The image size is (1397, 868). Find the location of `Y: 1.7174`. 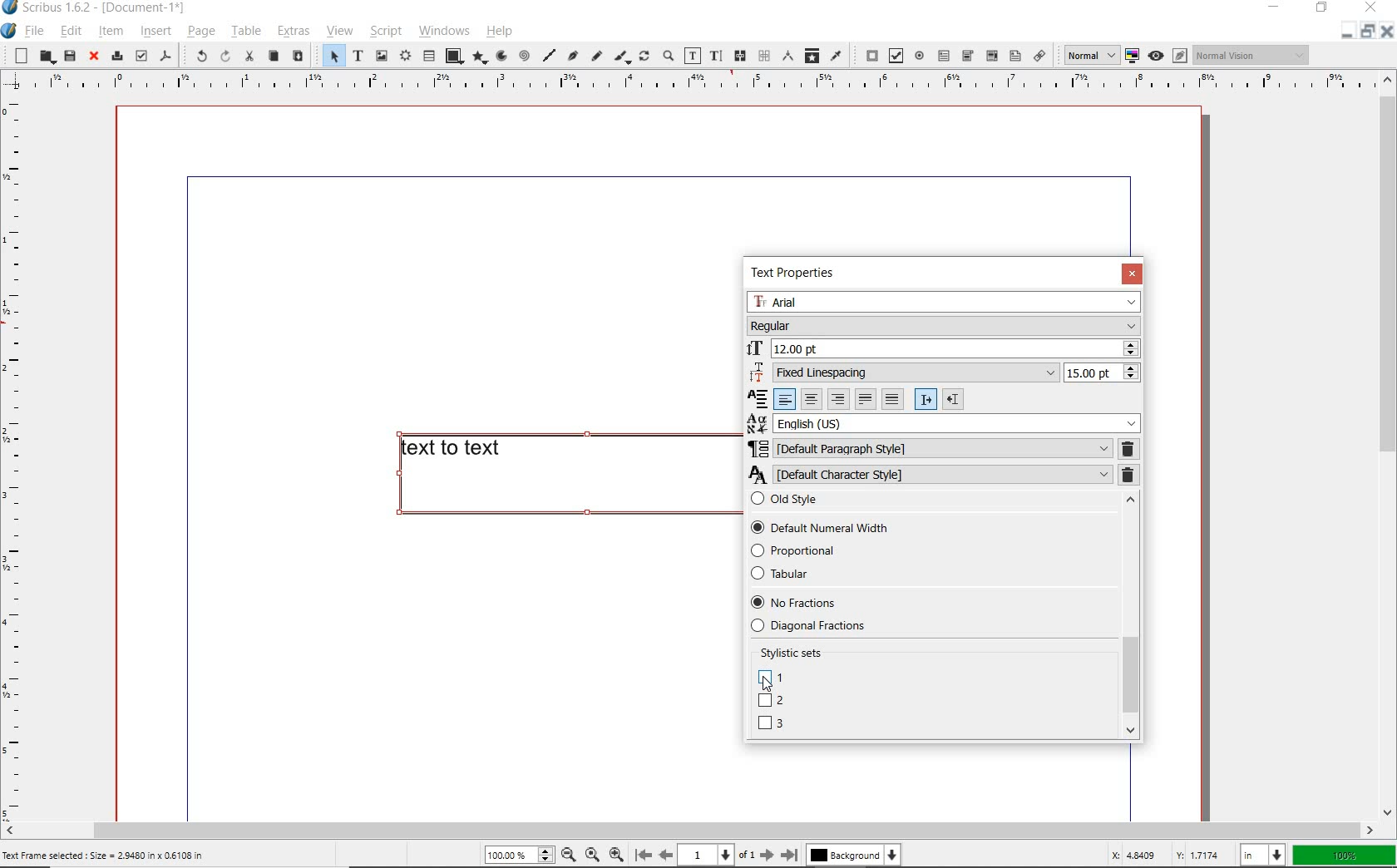

Y: 1.7174 is located at coordinates (1200, 855).